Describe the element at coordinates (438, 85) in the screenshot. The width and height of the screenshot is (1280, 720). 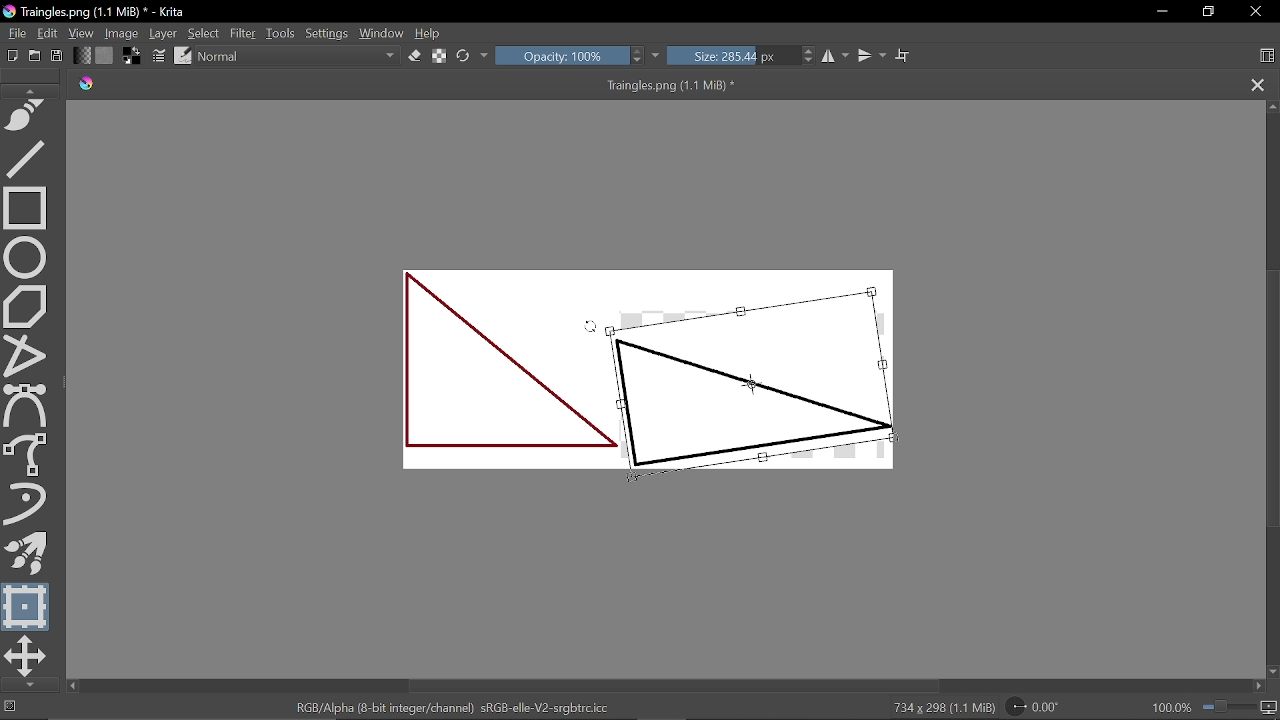
I see `Traingles.png (1.1 MiB) *` at that location.